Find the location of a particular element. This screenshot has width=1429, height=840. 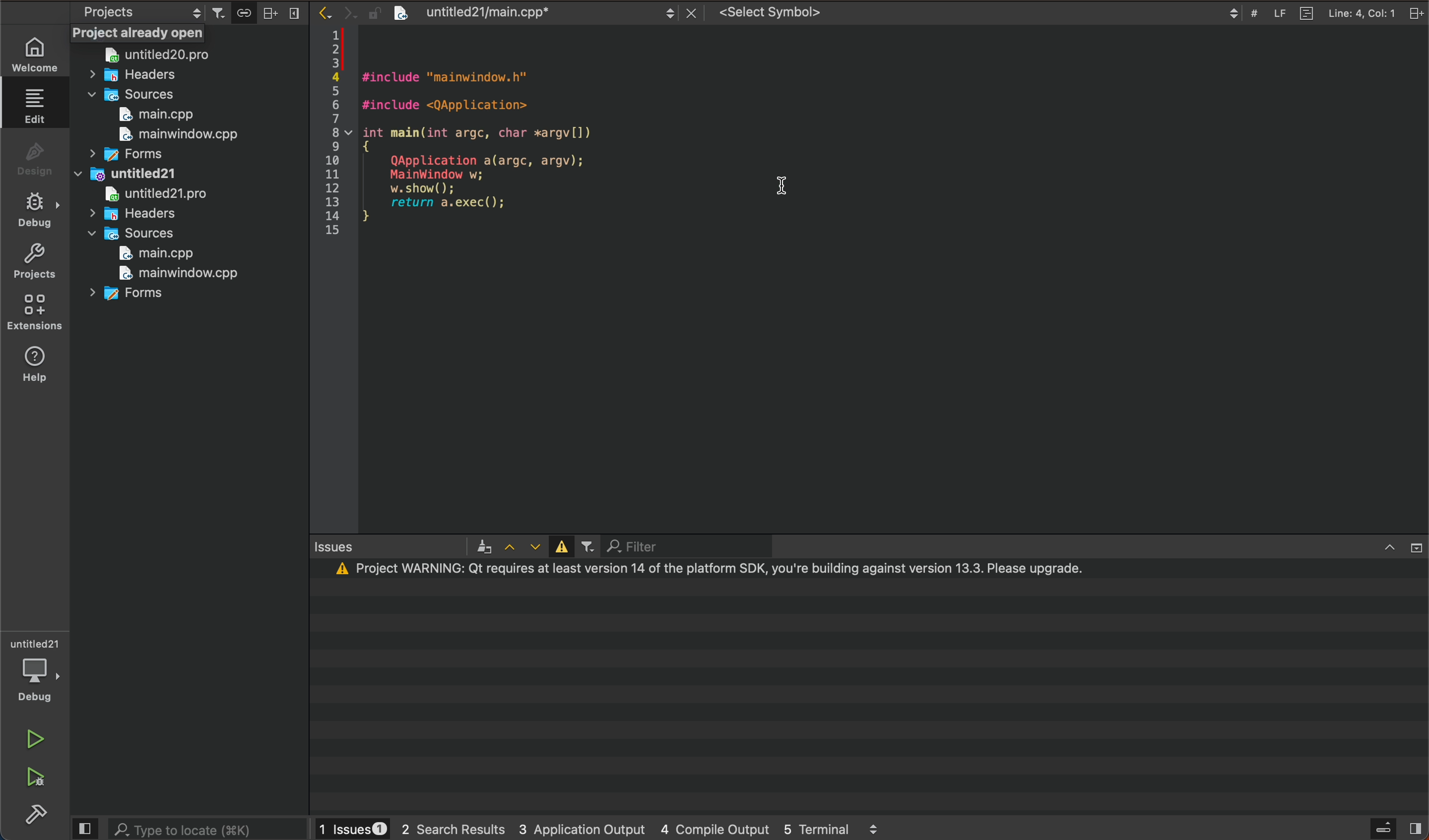

design is located at coordinates (34, 156).